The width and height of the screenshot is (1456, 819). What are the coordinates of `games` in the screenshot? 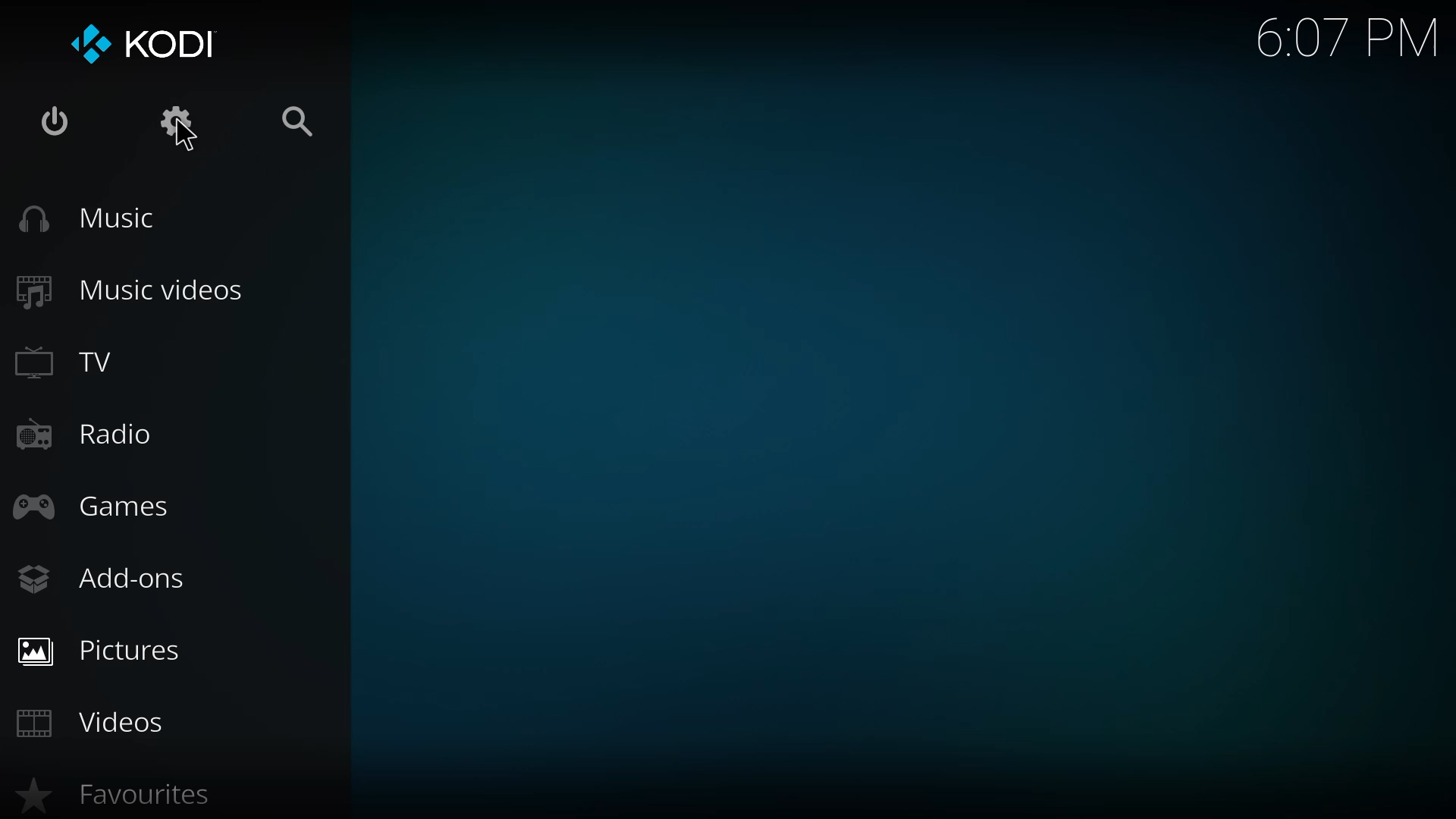 It's located at (100, 508).